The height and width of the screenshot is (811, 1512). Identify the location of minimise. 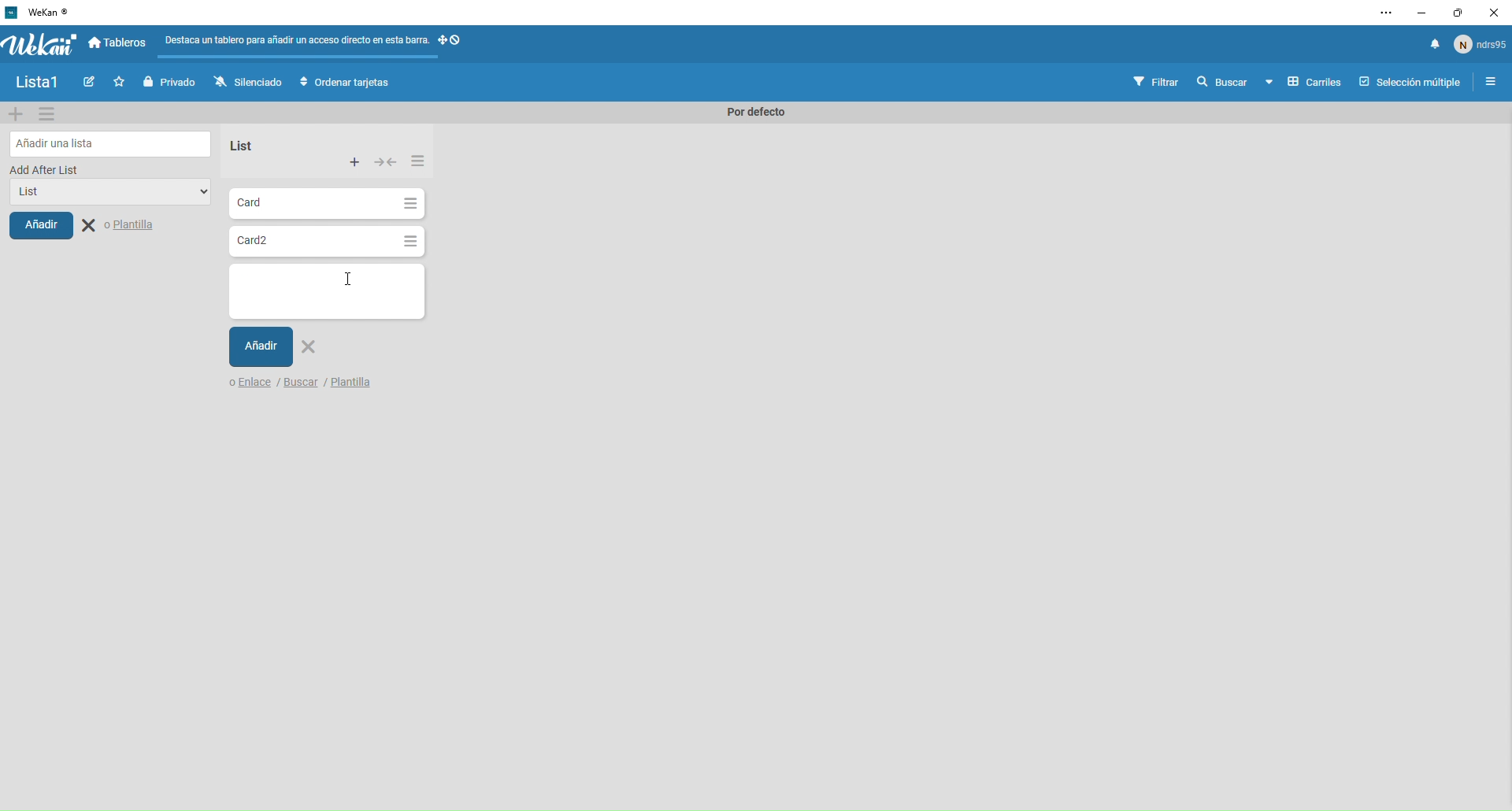
(1420, 13).